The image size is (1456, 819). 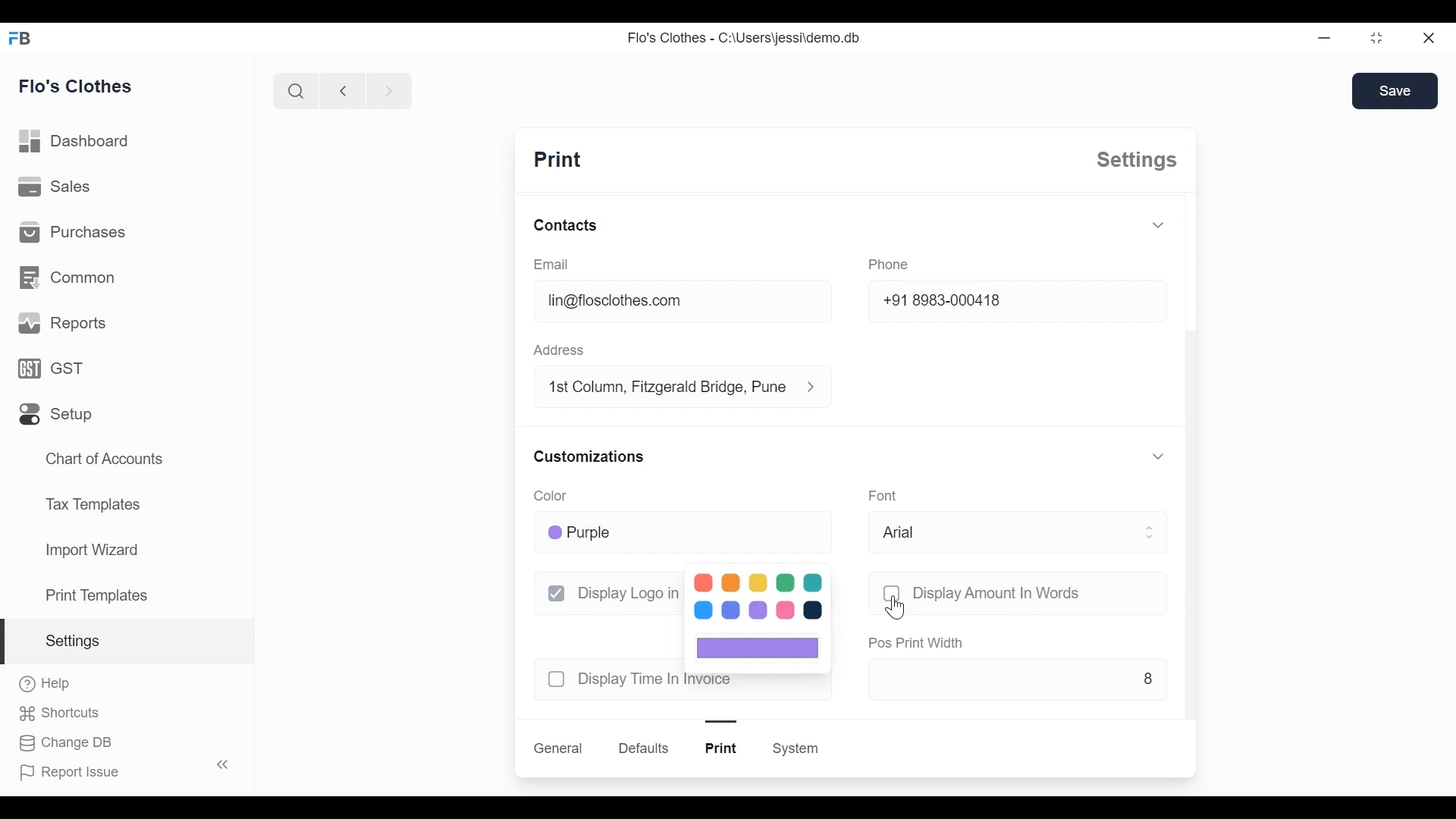 I want to click on reports, so click(x=64, y=323).